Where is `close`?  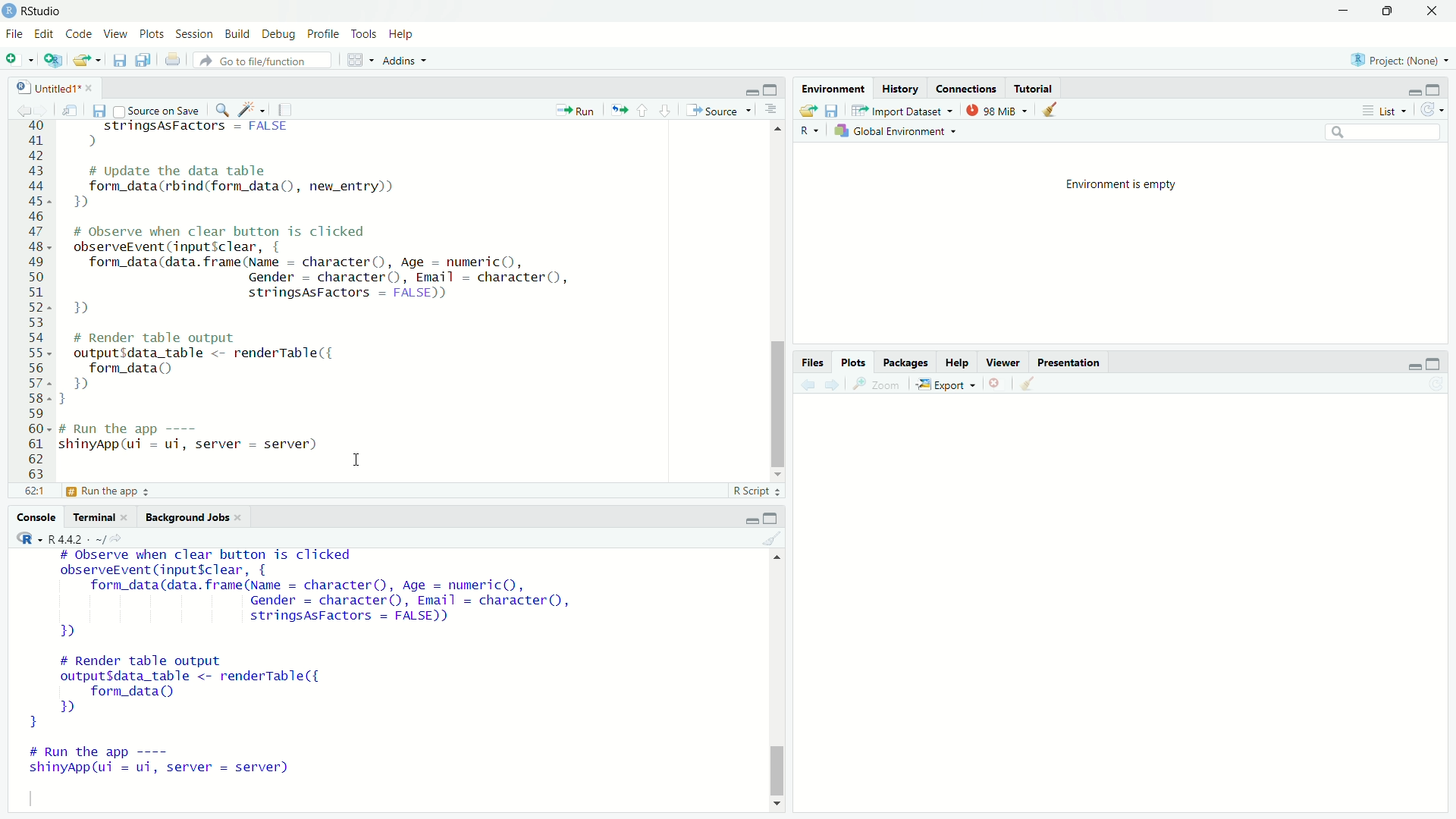 close is located at coordinates (243, 518).